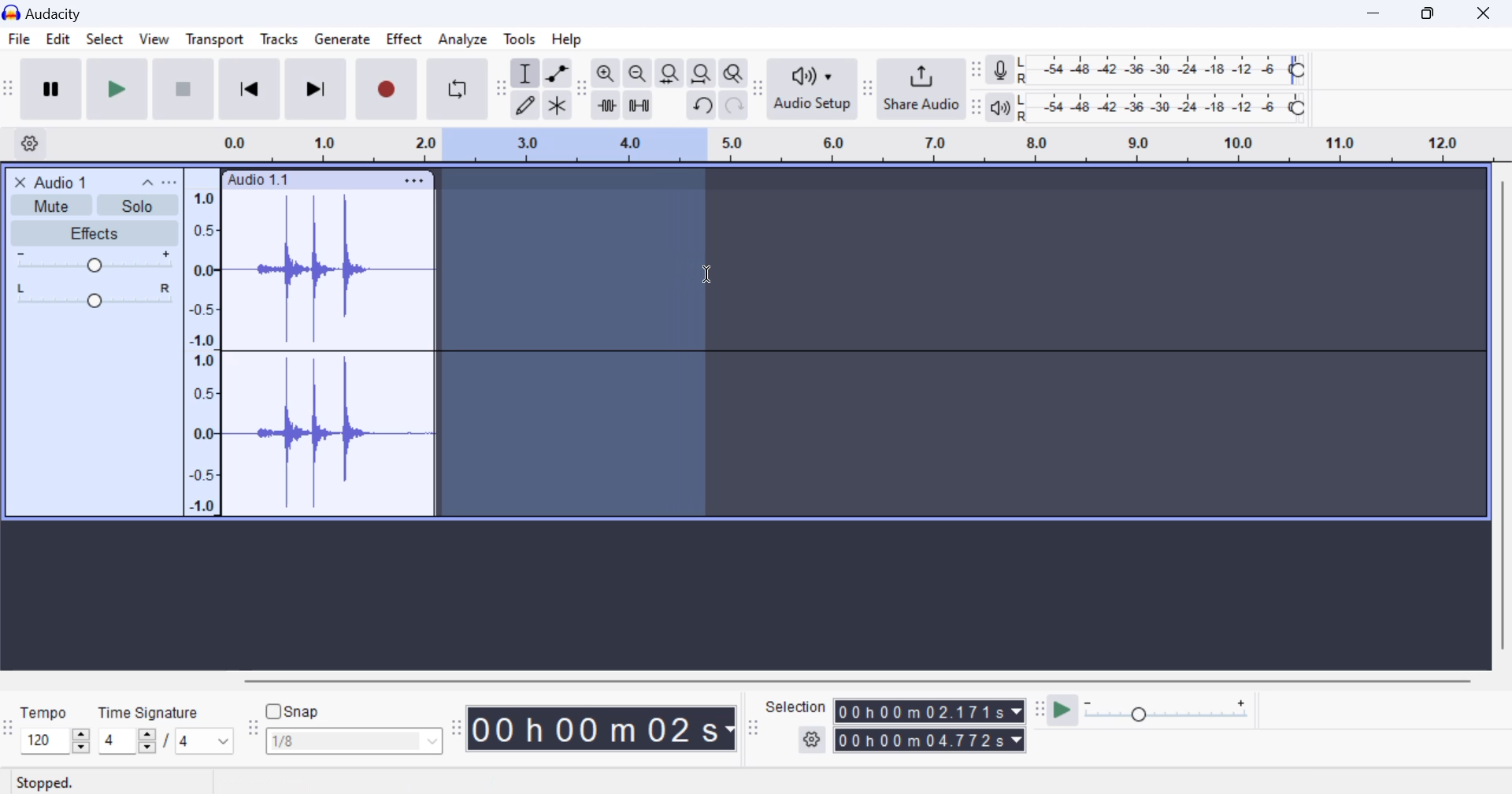  I want to click on Audio Clip, so click(327, 354).